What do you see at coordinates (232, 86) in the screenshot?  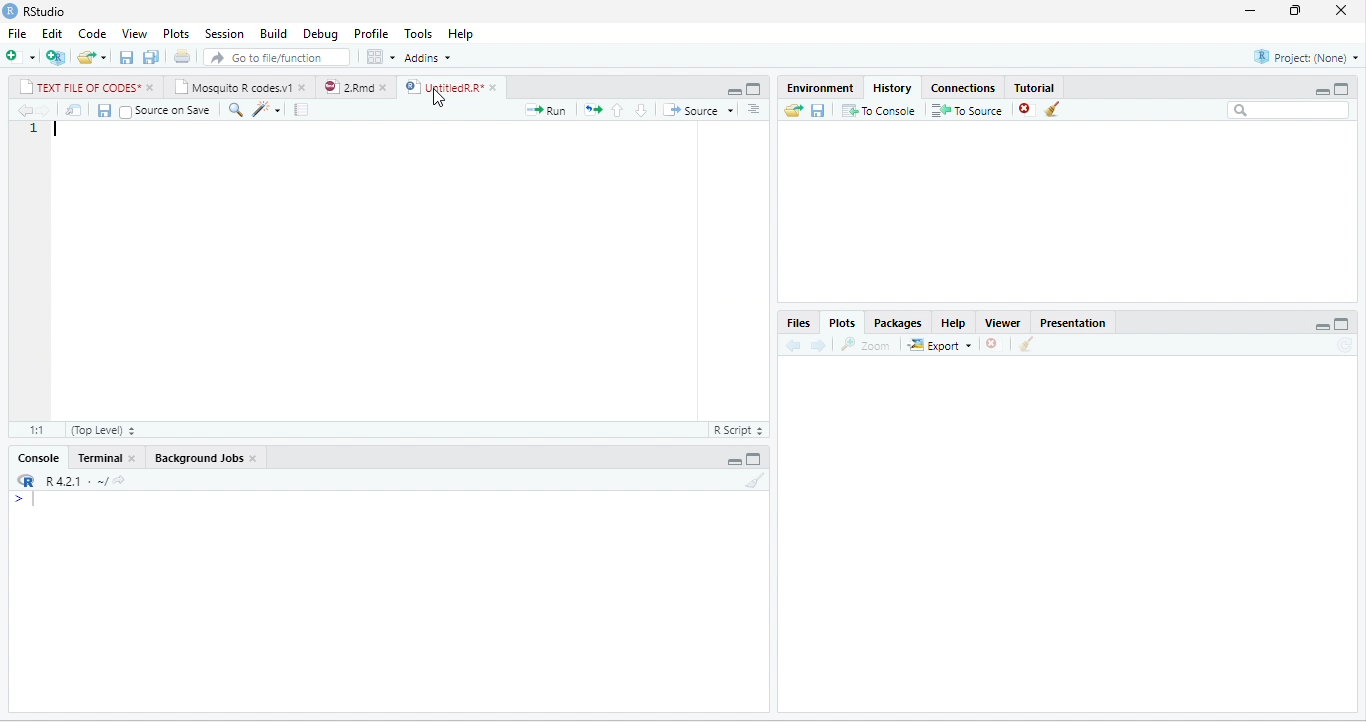 I see `Mosquito R codes.v1` at bounding box center [232, 86].